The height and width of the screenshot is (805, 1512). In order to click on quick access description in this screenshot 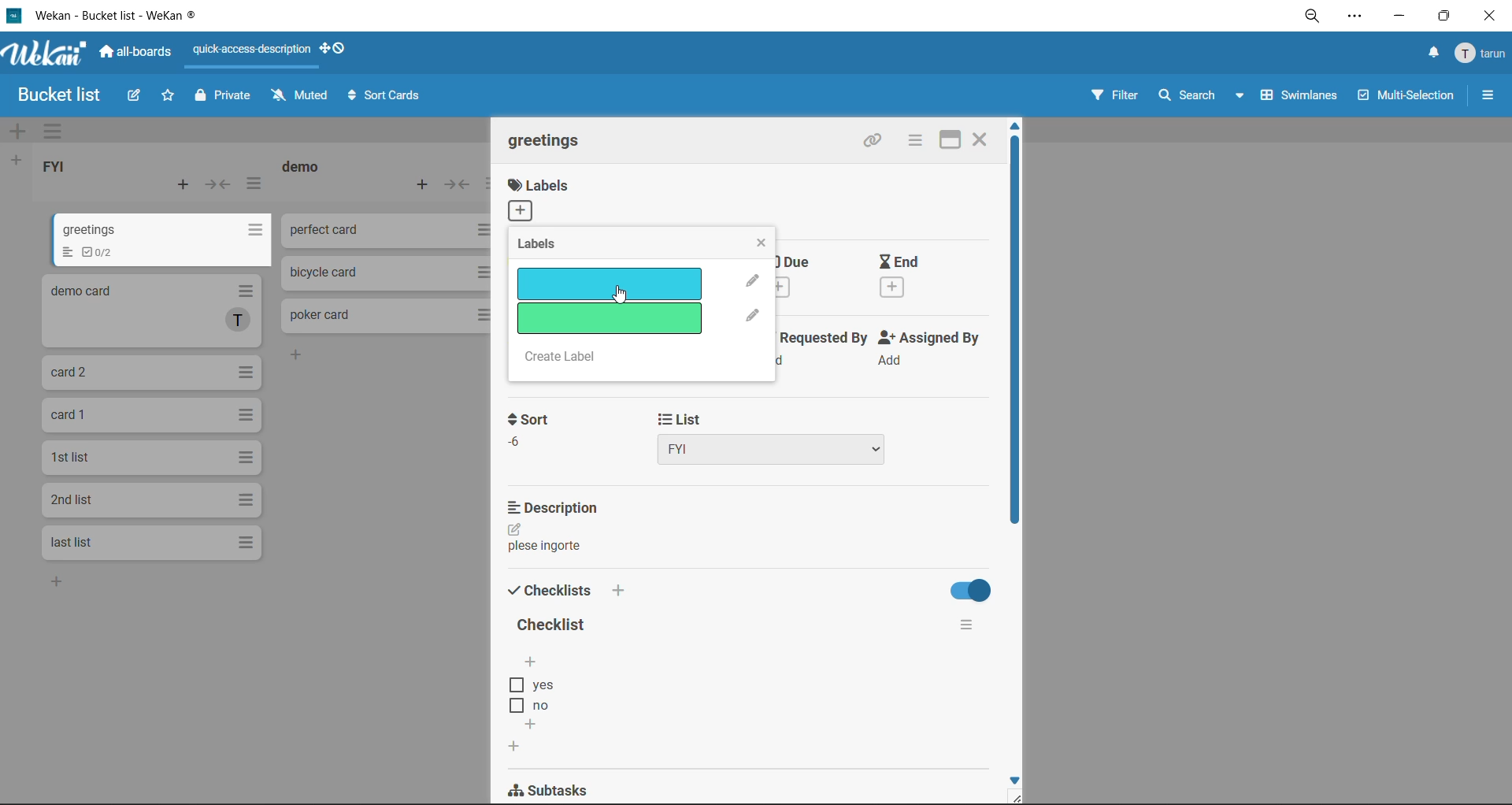, I will do `click(251, 56)`.